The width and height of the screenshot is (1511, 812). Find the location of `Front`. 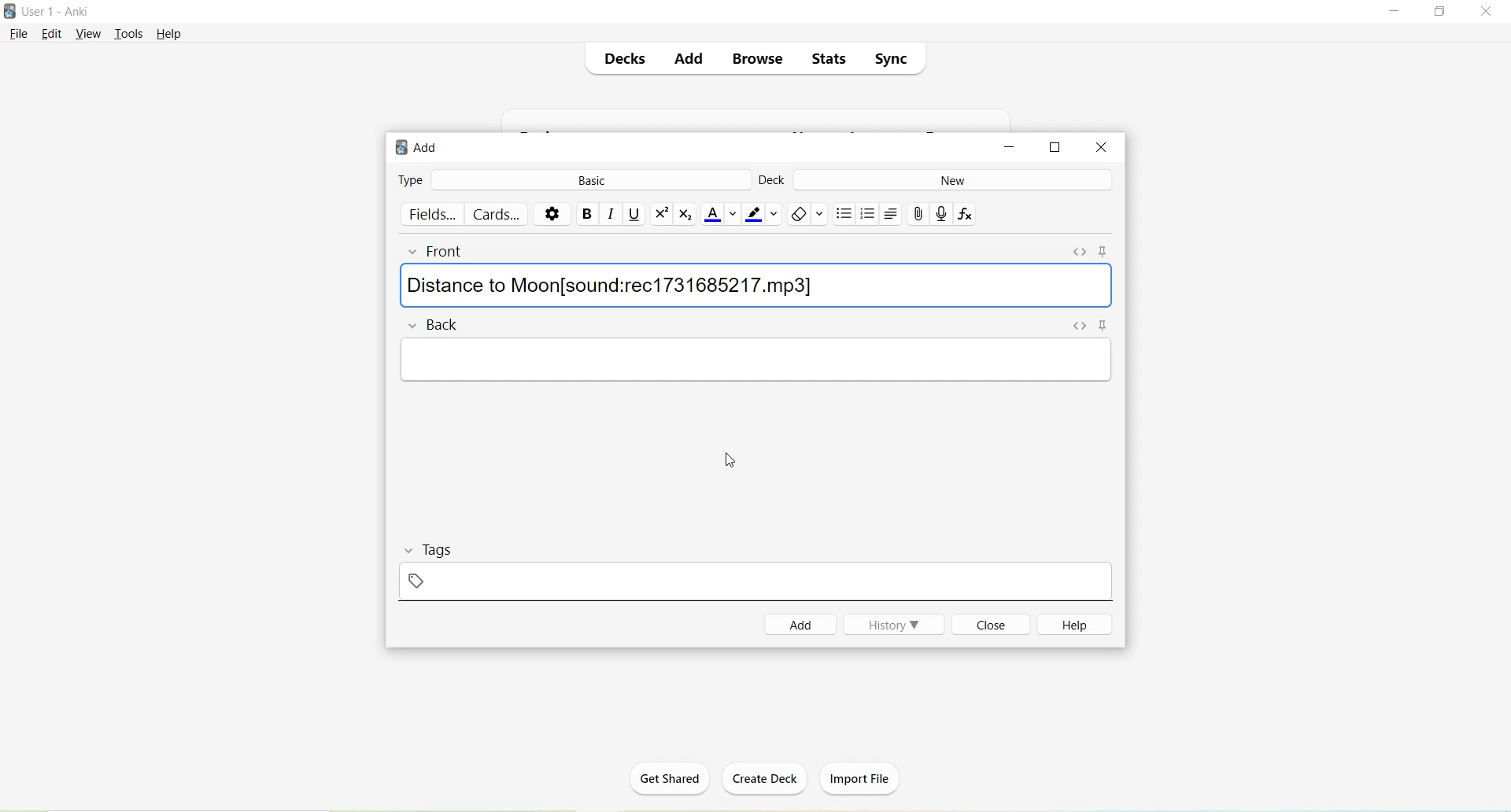

Front is located at coordinates (448, 252).